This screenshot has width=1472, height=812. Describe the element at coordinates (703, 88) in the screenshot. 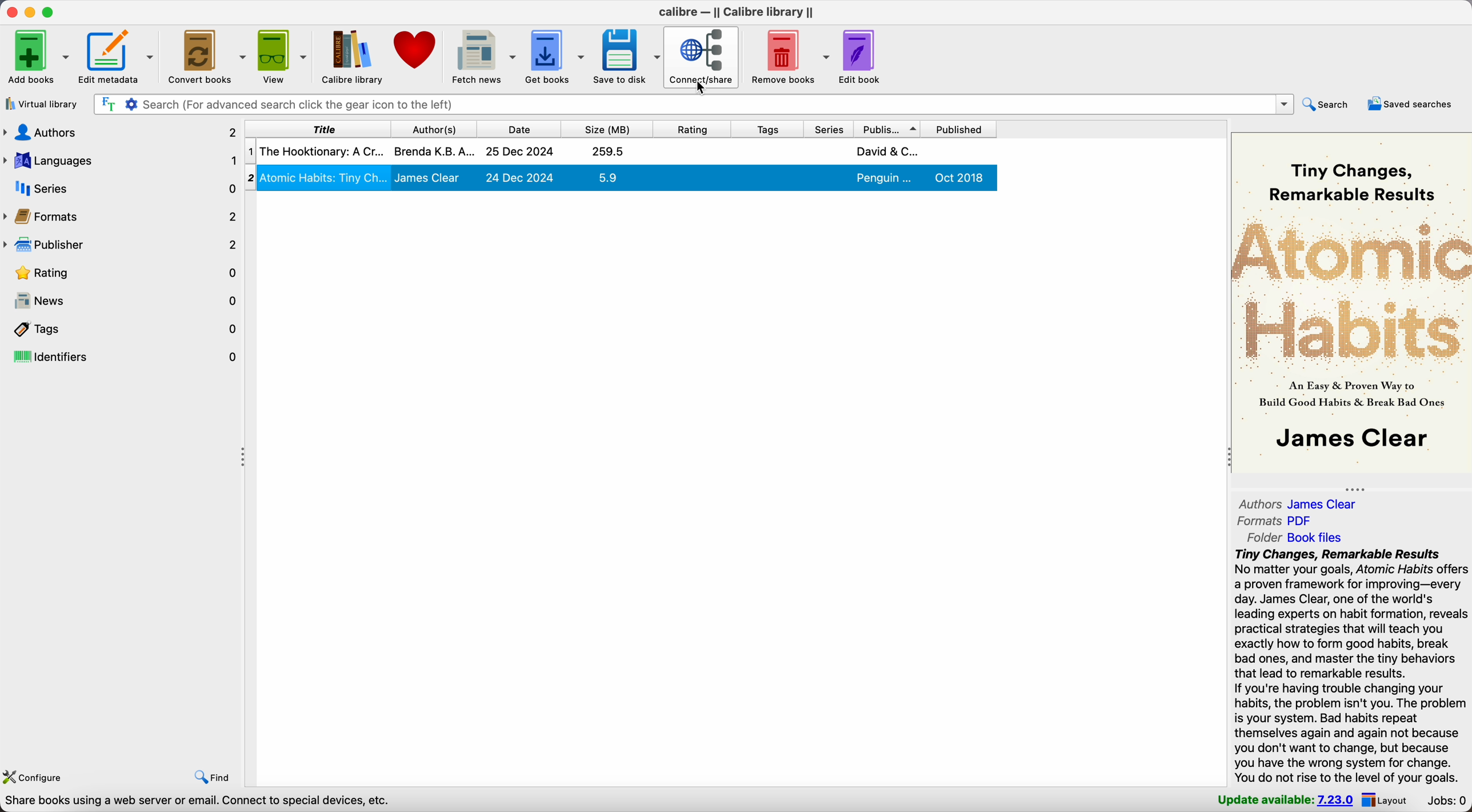

I see `Cursor` at that location.